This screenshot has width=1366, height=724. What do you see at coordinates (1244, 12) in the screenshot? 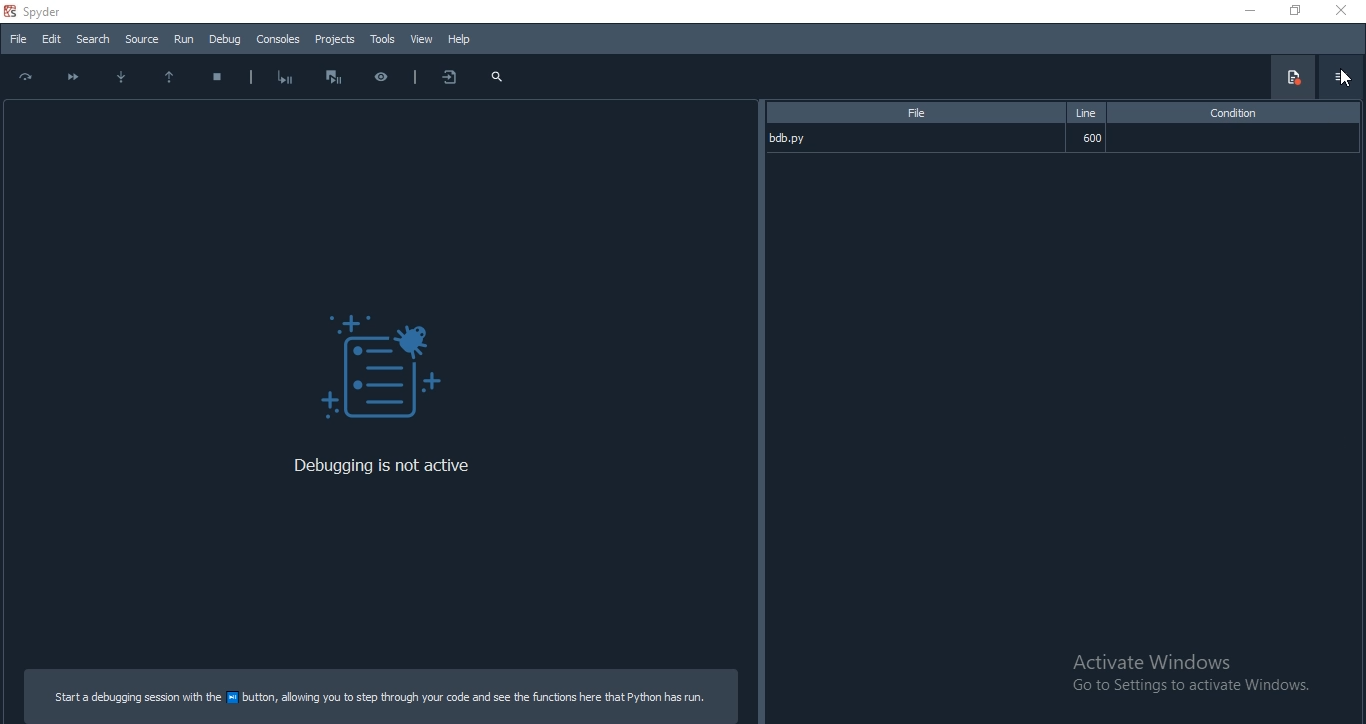
I see `Minimise` at bounding box center [1244, 12].